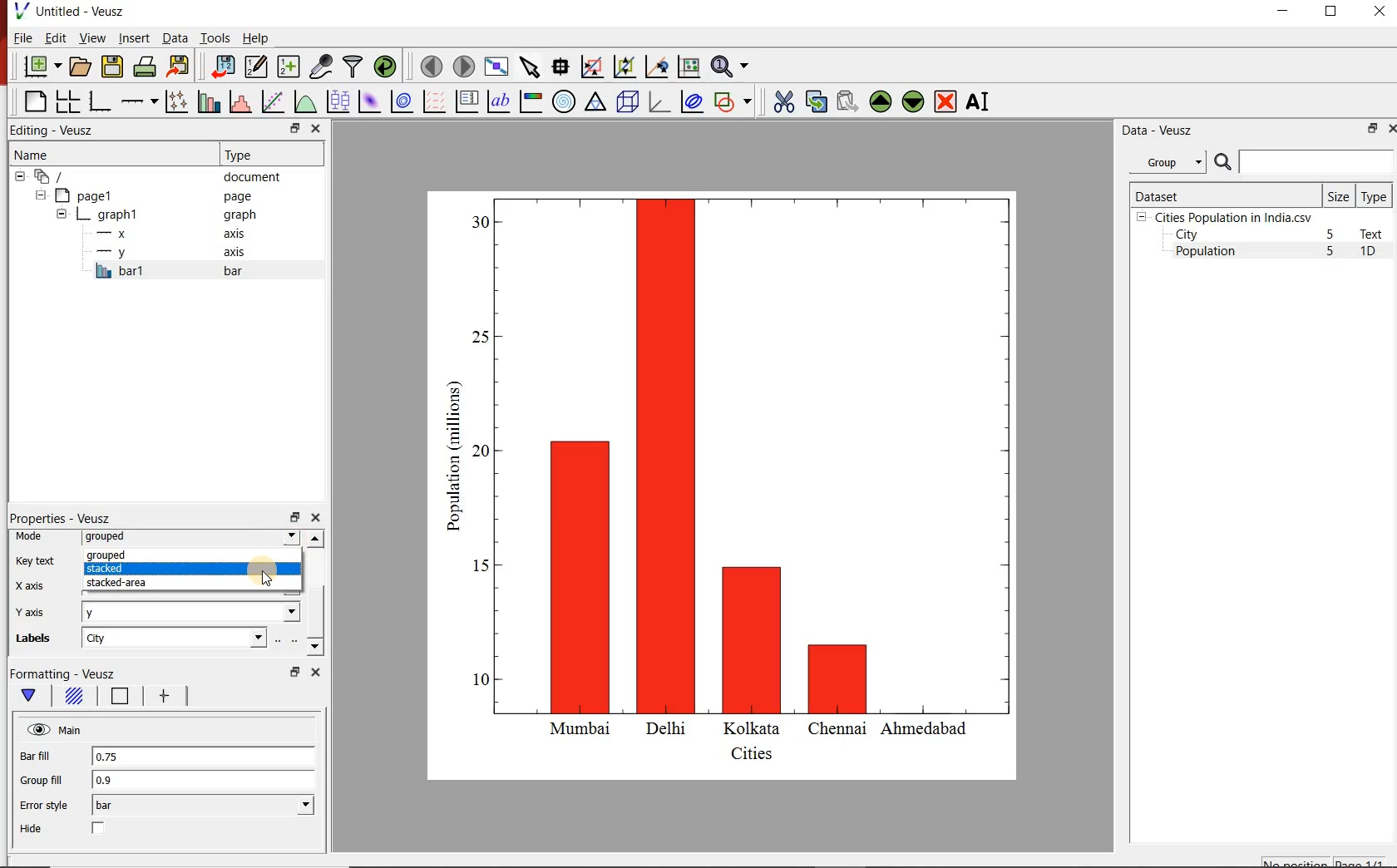 This screenshot has width=1397, height=868. What do you see at coordinates (384, 67) in the screenshot?
I see `reload linked datasets` at bounding box center [384, 67].